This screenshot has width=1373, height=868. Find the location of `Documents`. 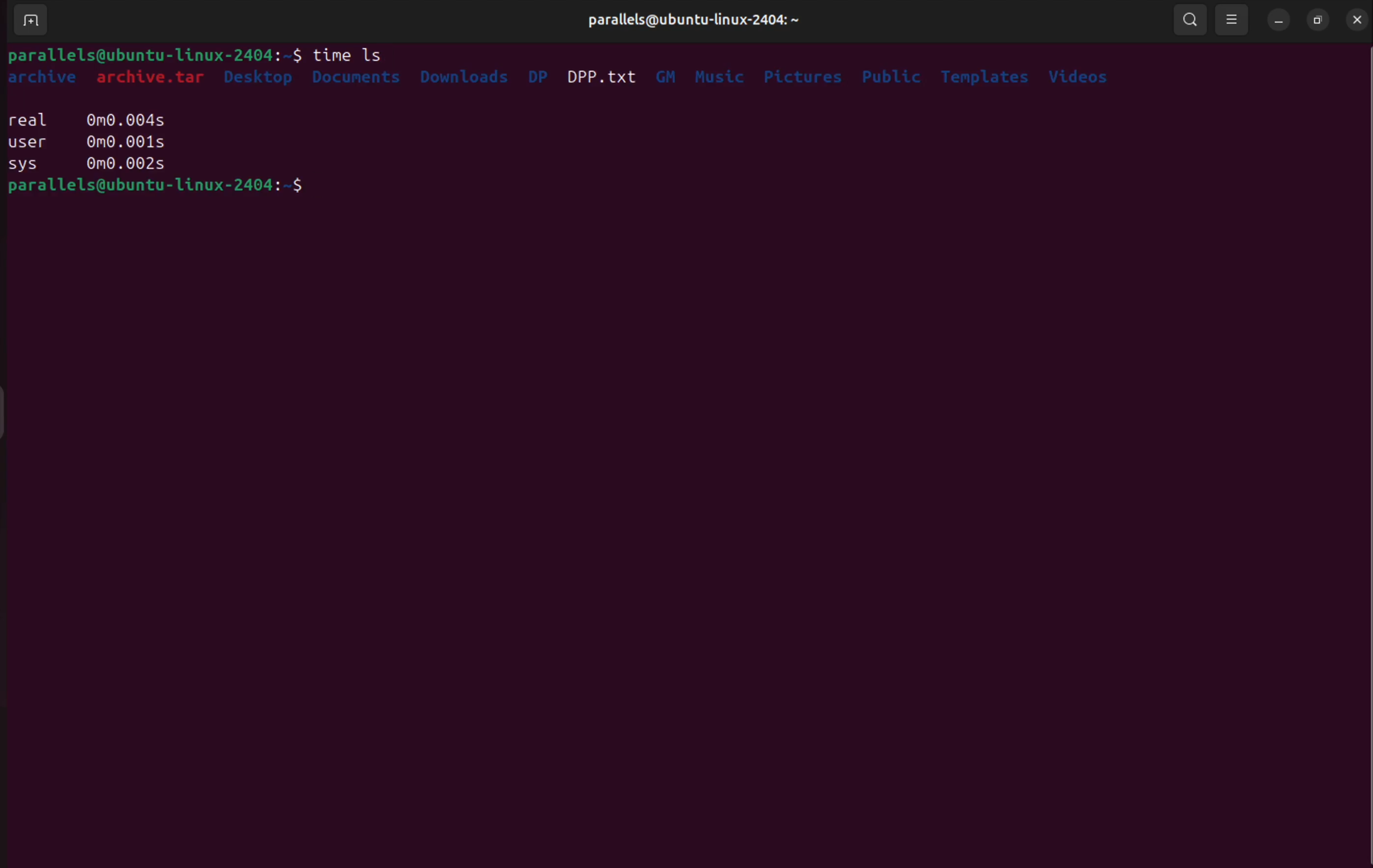

Documents is located at coordinates (358, 80).